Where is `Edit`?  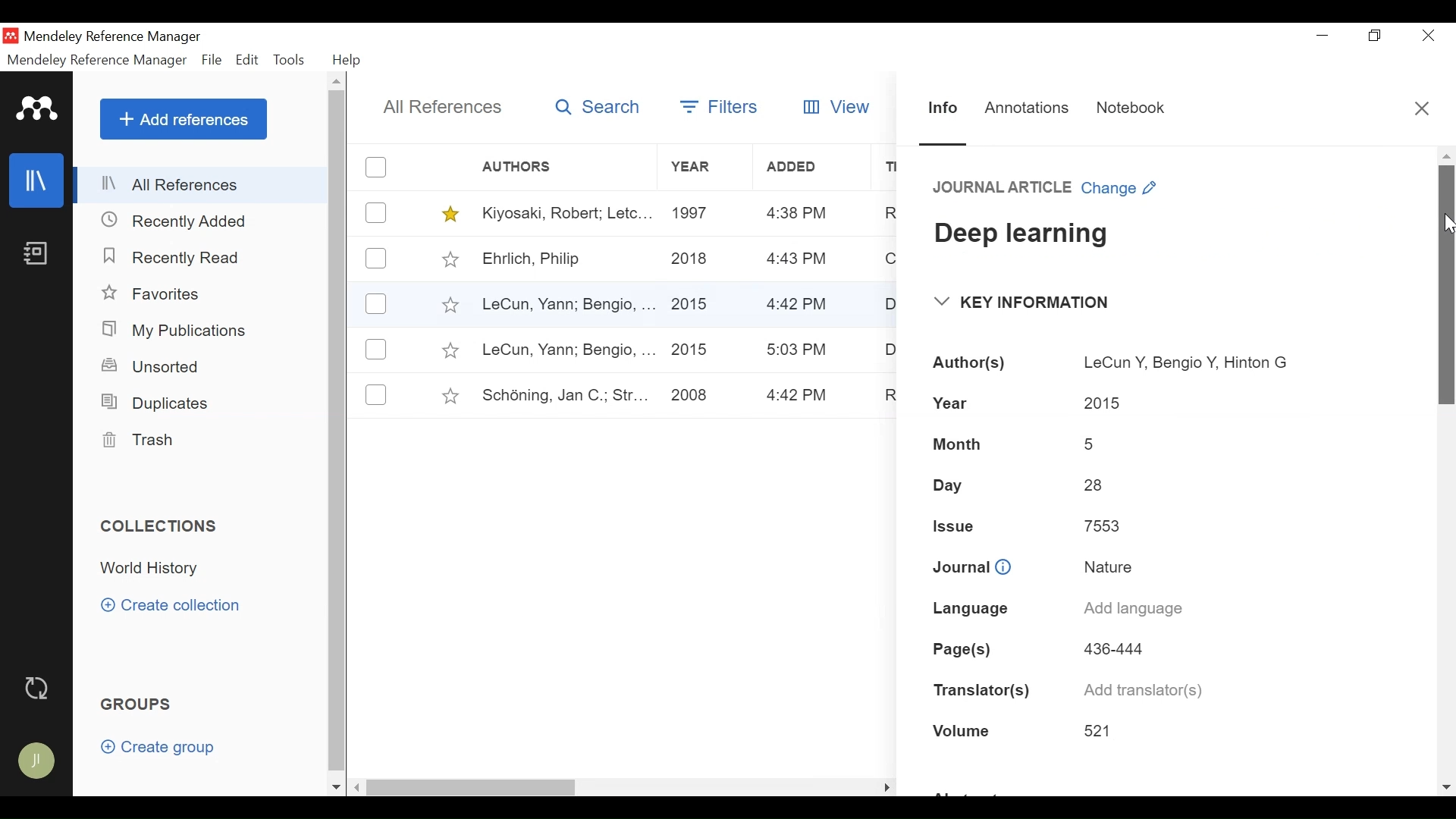 Edit is located at coordinates (248, 60).